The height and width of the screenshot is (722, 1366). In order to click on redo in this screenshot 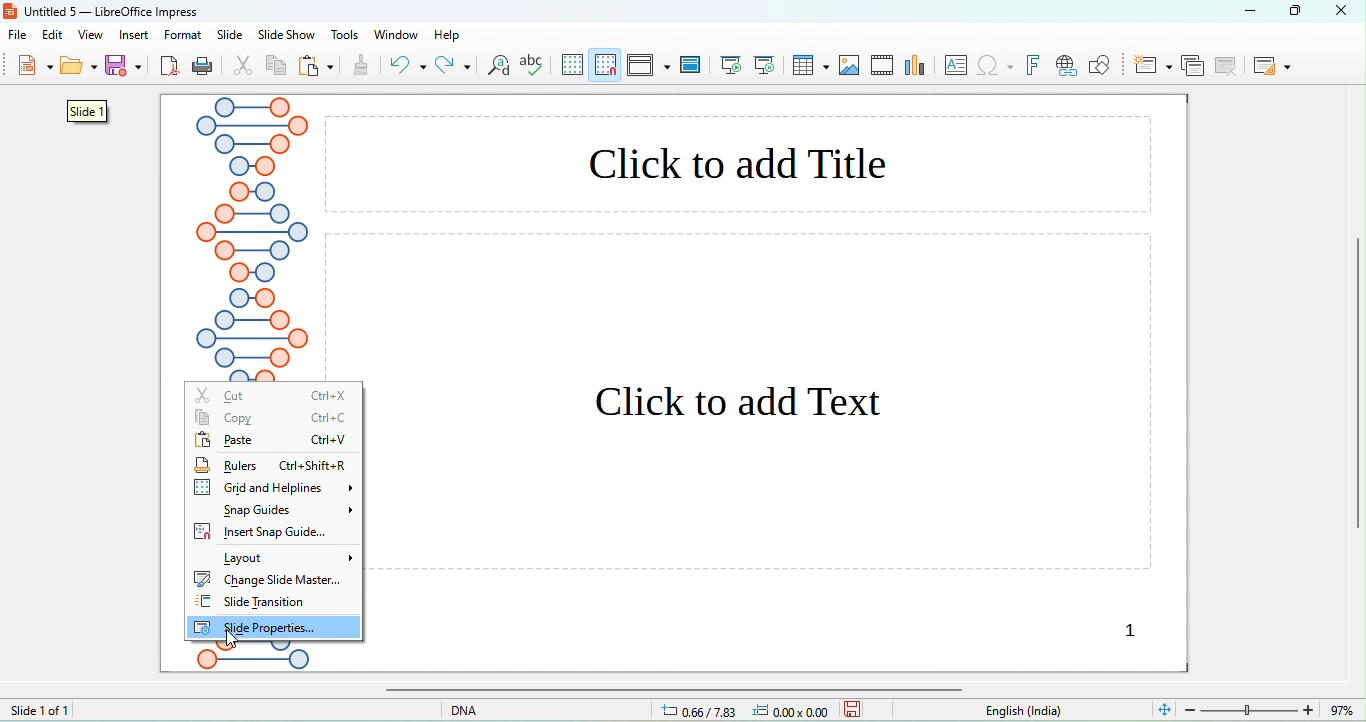, I will do `click(453, 65)`.